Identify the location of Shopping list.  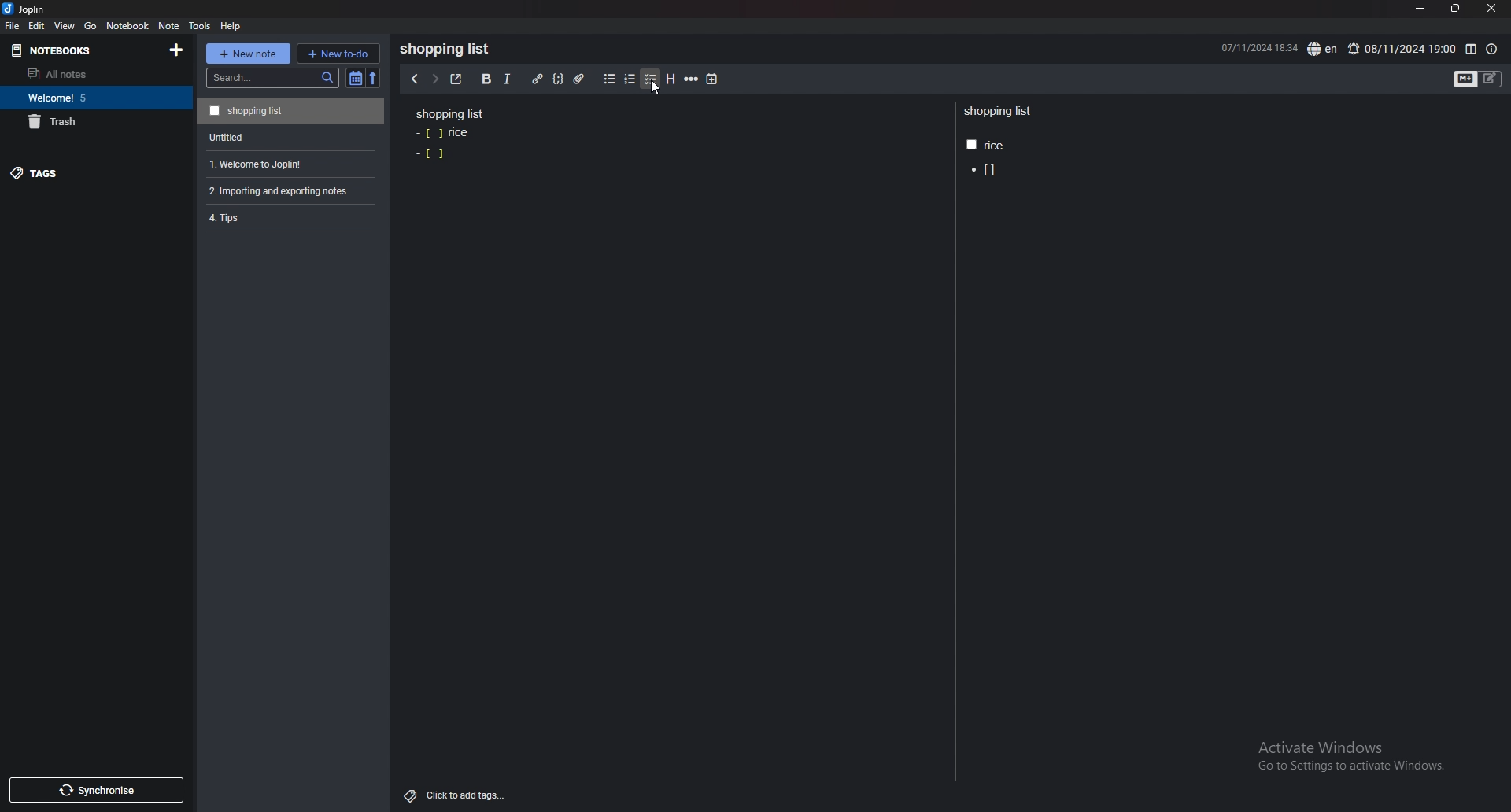
(449, 49).